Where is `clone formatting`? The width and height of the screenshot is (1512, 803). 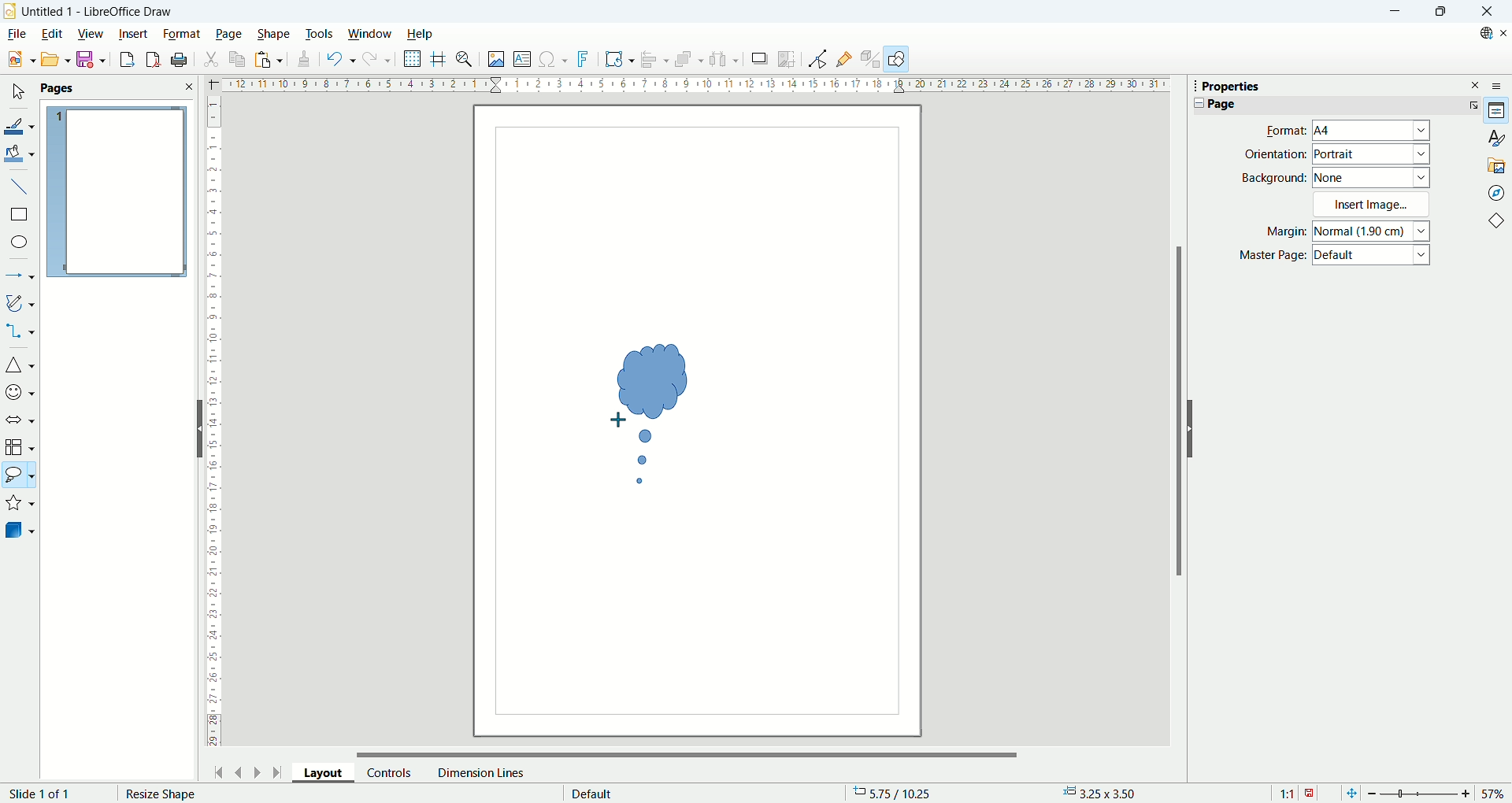 clone formatting is located at coordinates (302, 60).